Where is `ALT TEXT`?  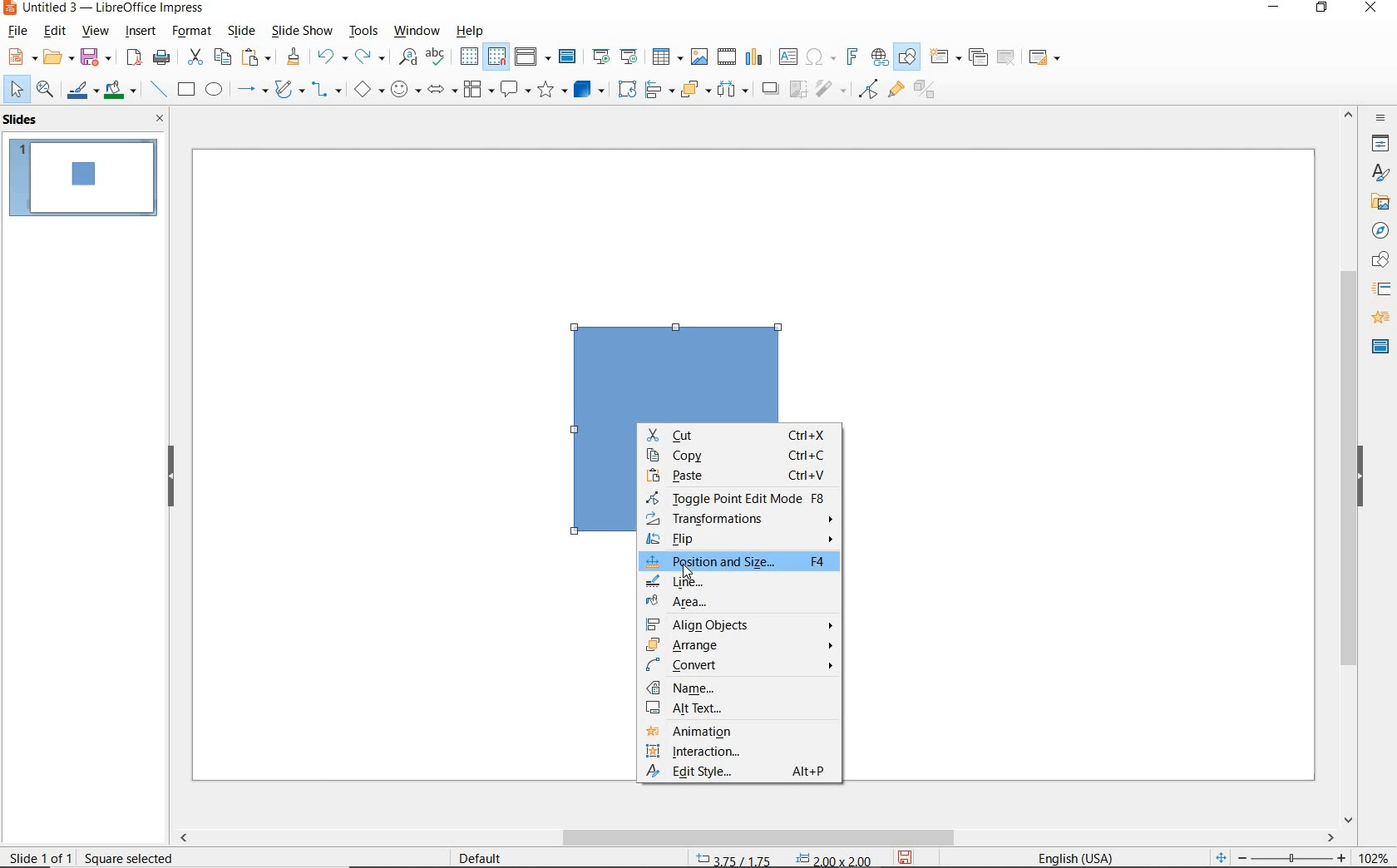 ALT TEXT is located at coordinates (739, 708).